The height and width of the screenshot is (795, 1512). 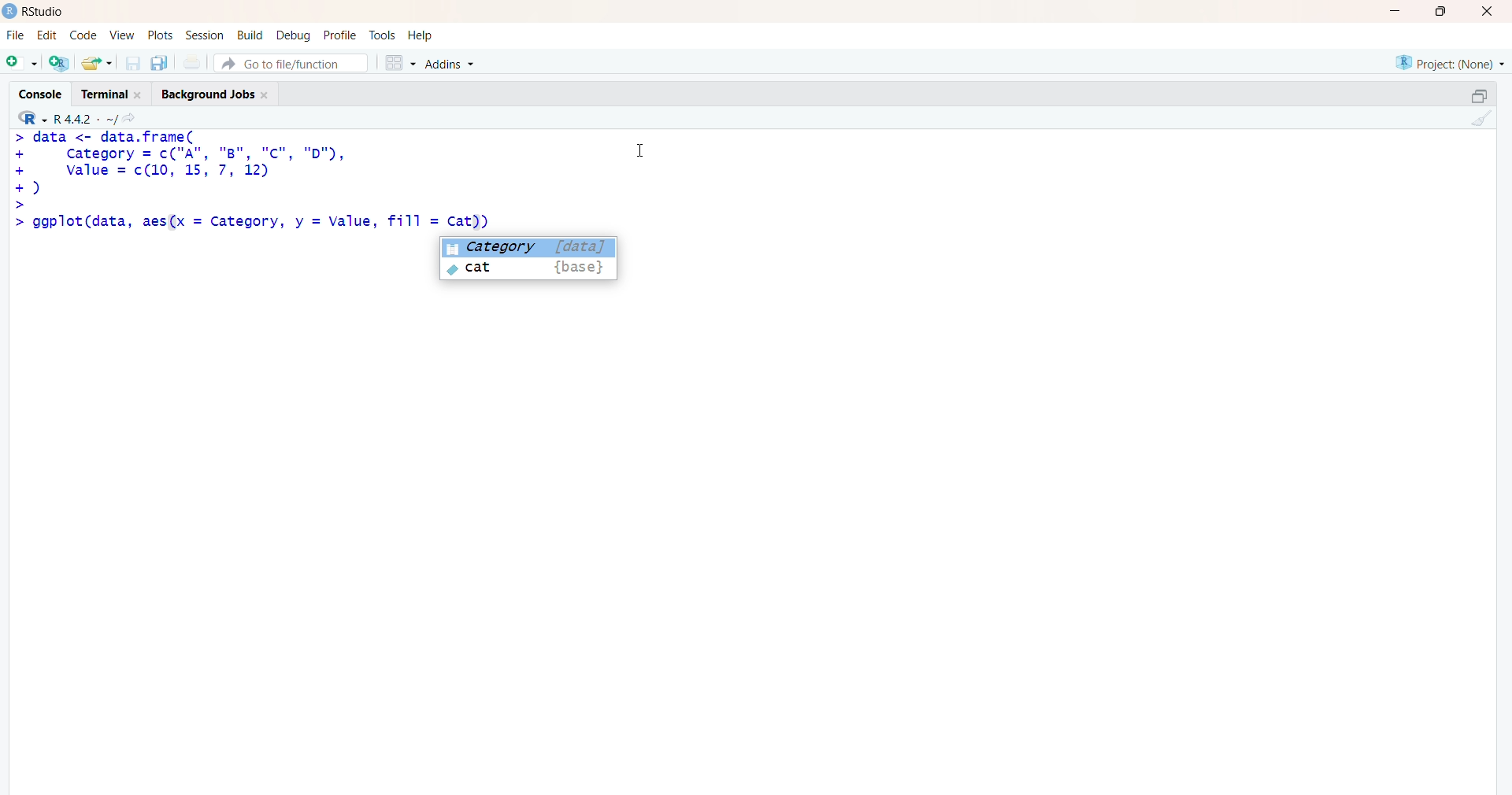 What do you see at coordinates (1452, 62) in the screenshot?
I see `selected project - none` at bounding box center [1452, 62].